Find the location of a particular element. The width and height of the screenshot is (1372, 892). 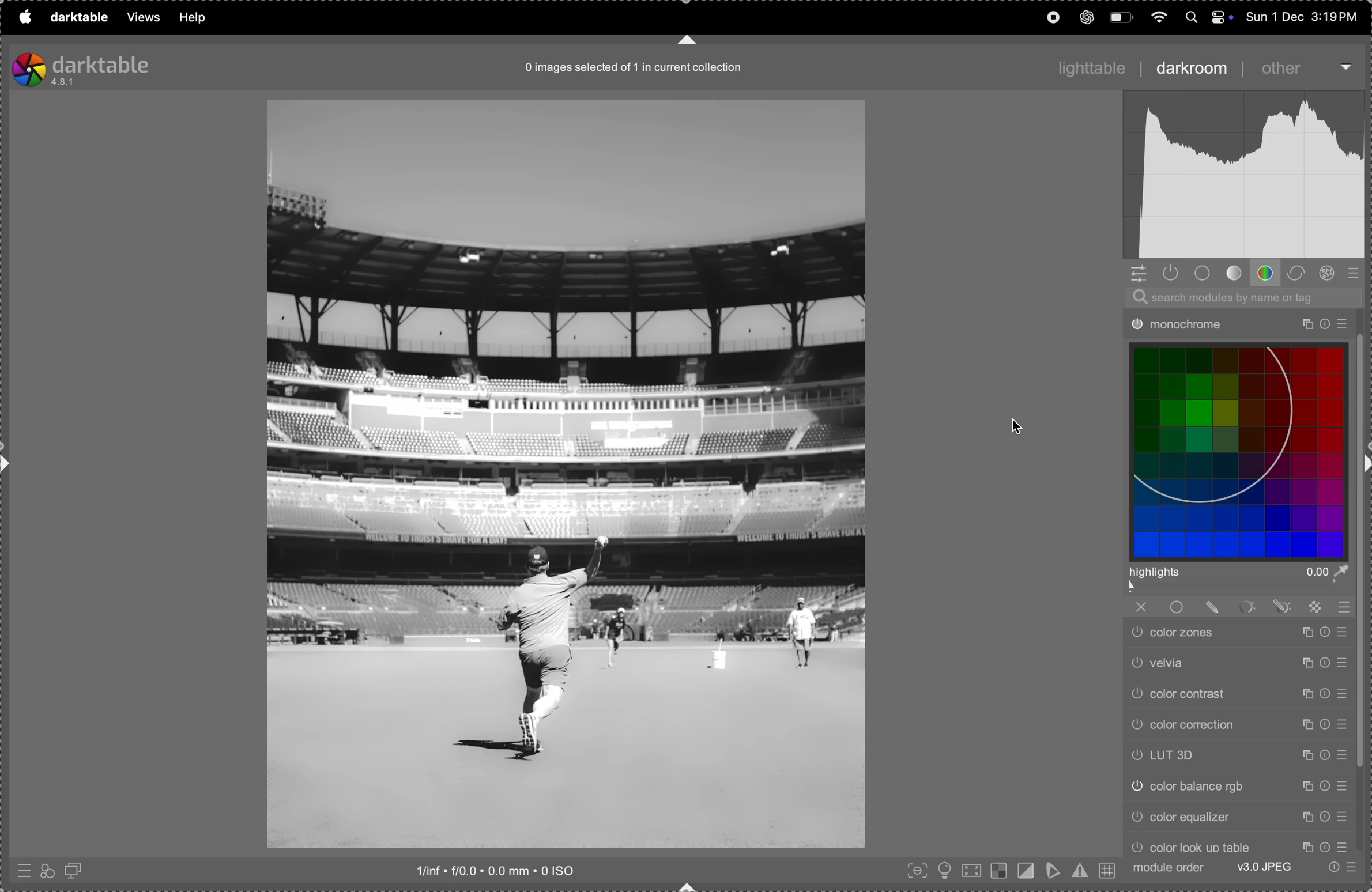

Lut 3D is located at coordinates (1238, 757).